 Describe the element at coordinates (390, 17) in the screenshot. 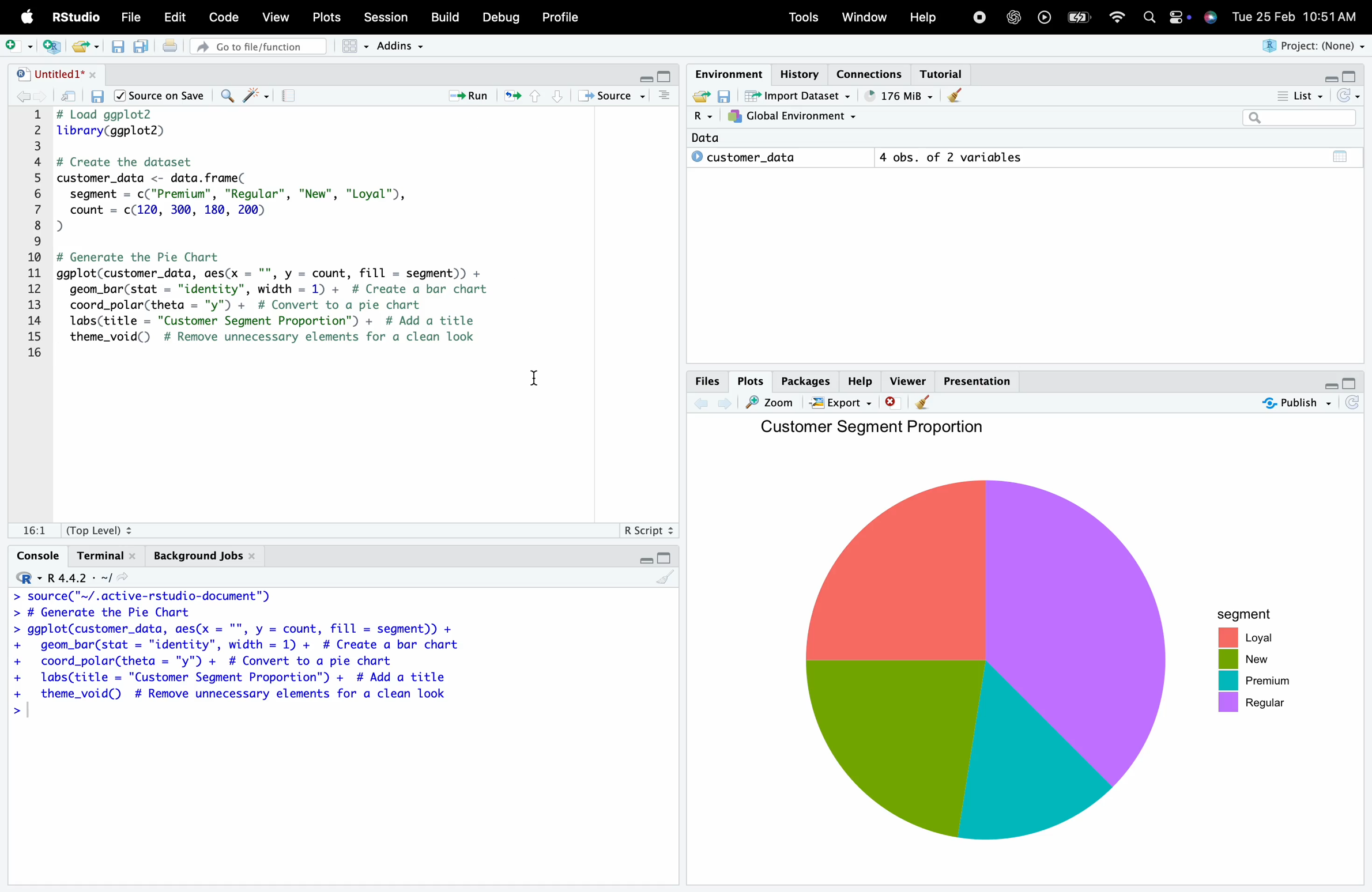

I see `Session` at that location.